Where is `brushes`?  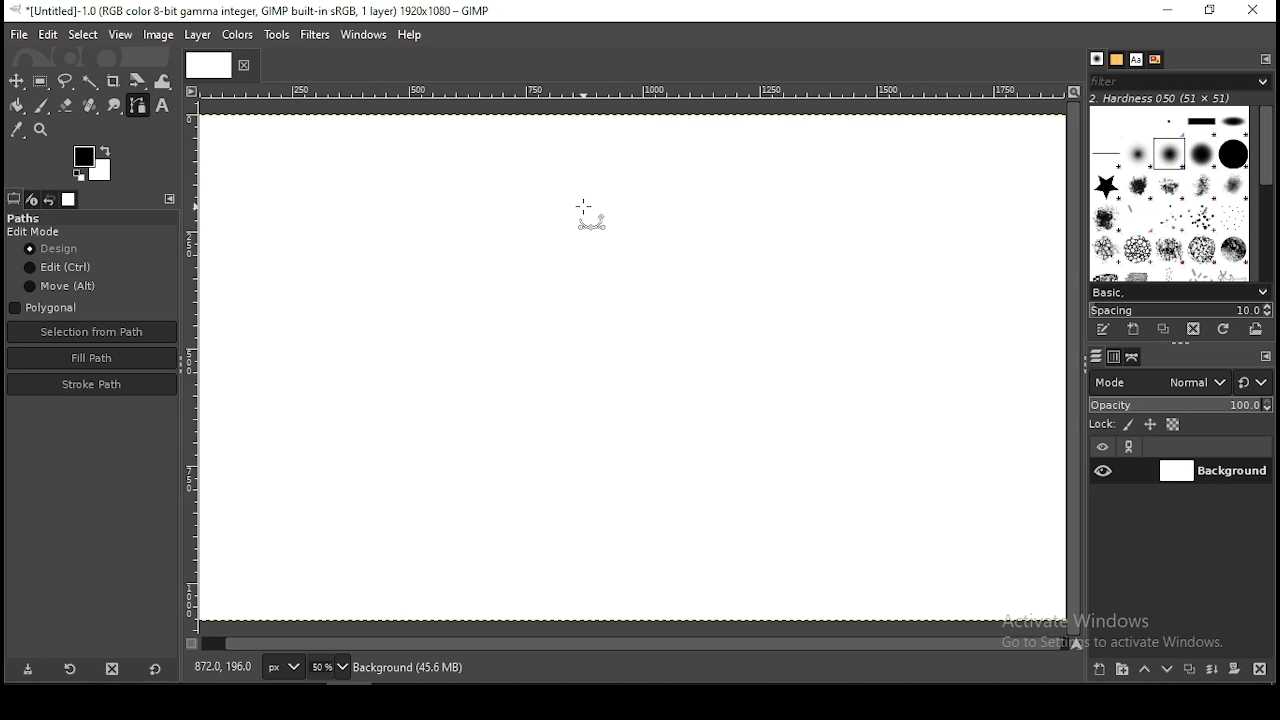
brushes is located at coordinates (1097, 59).